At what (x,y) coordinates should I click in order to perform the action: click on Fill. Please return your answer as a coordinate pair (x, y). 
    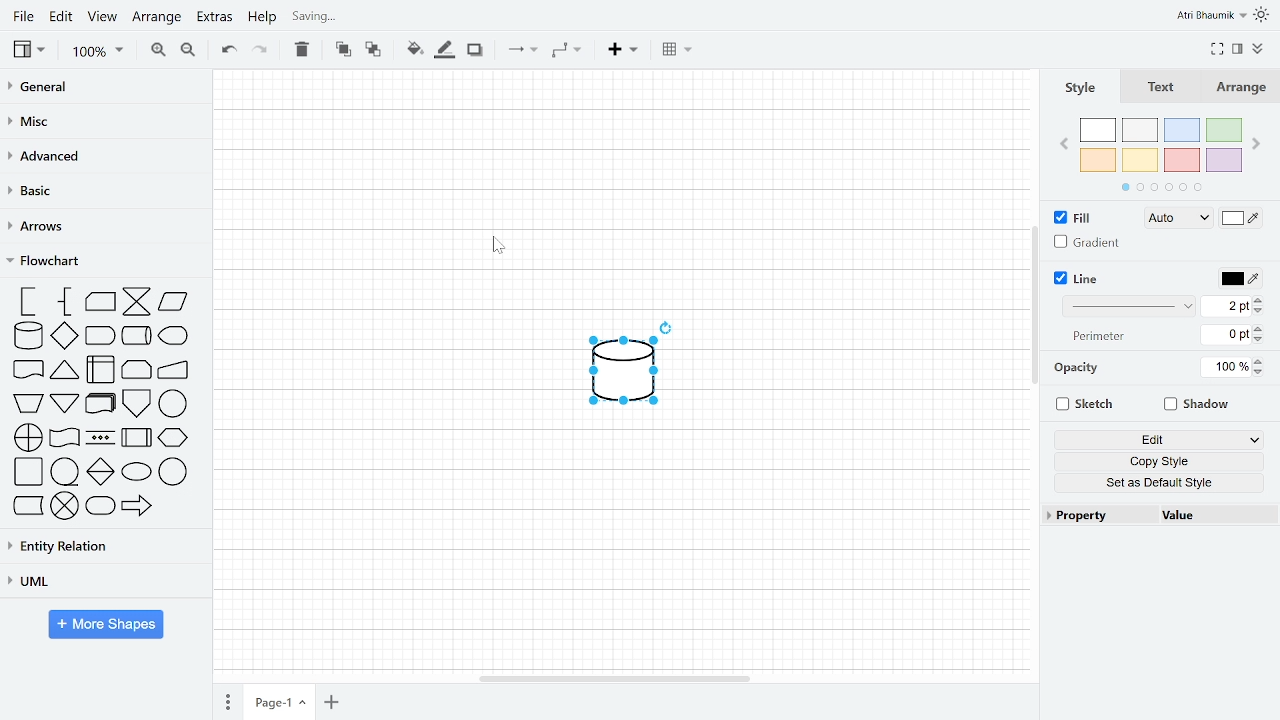
    Looking at the image, I should click on (1074, 217).